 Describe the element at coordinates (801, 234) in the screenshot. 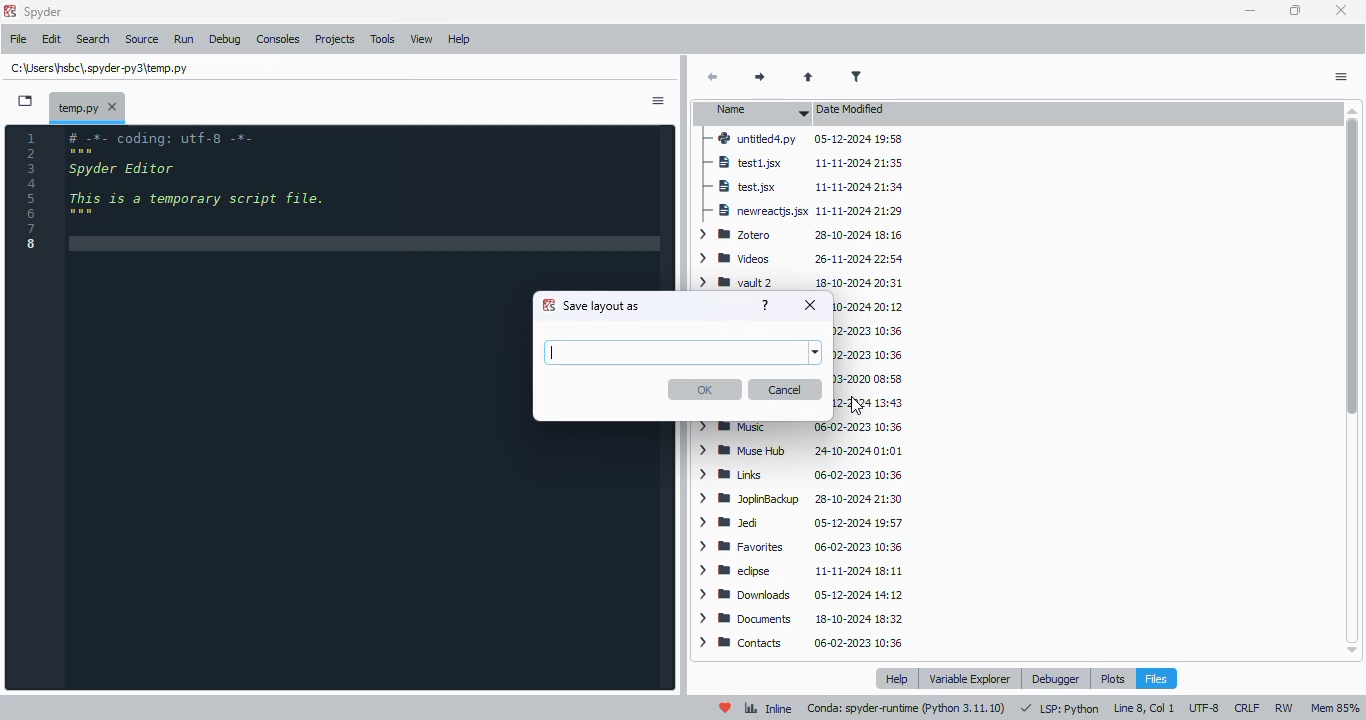

I see `Zotero` at that location.